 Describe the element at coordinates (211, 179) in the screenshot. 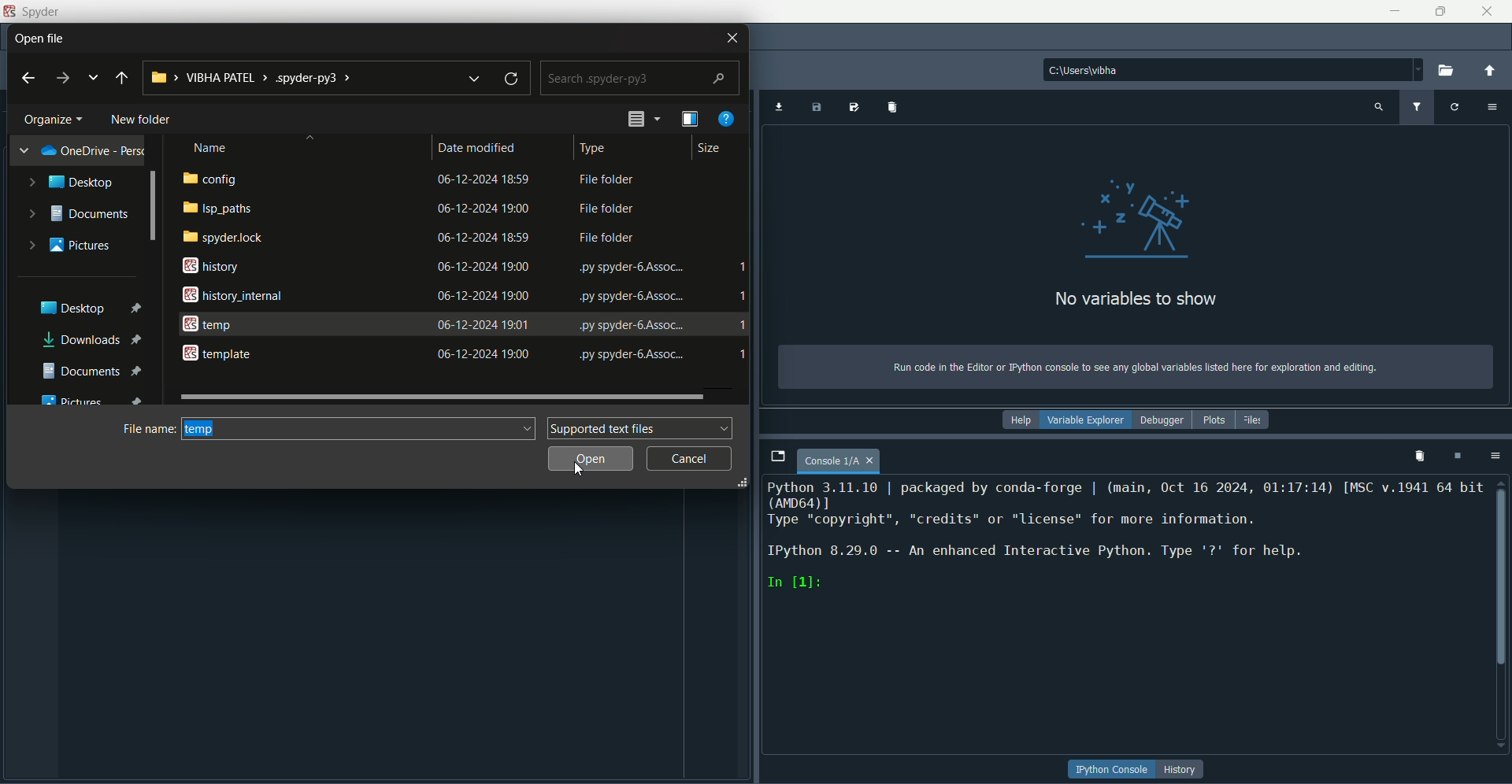

I see `config` at that location.